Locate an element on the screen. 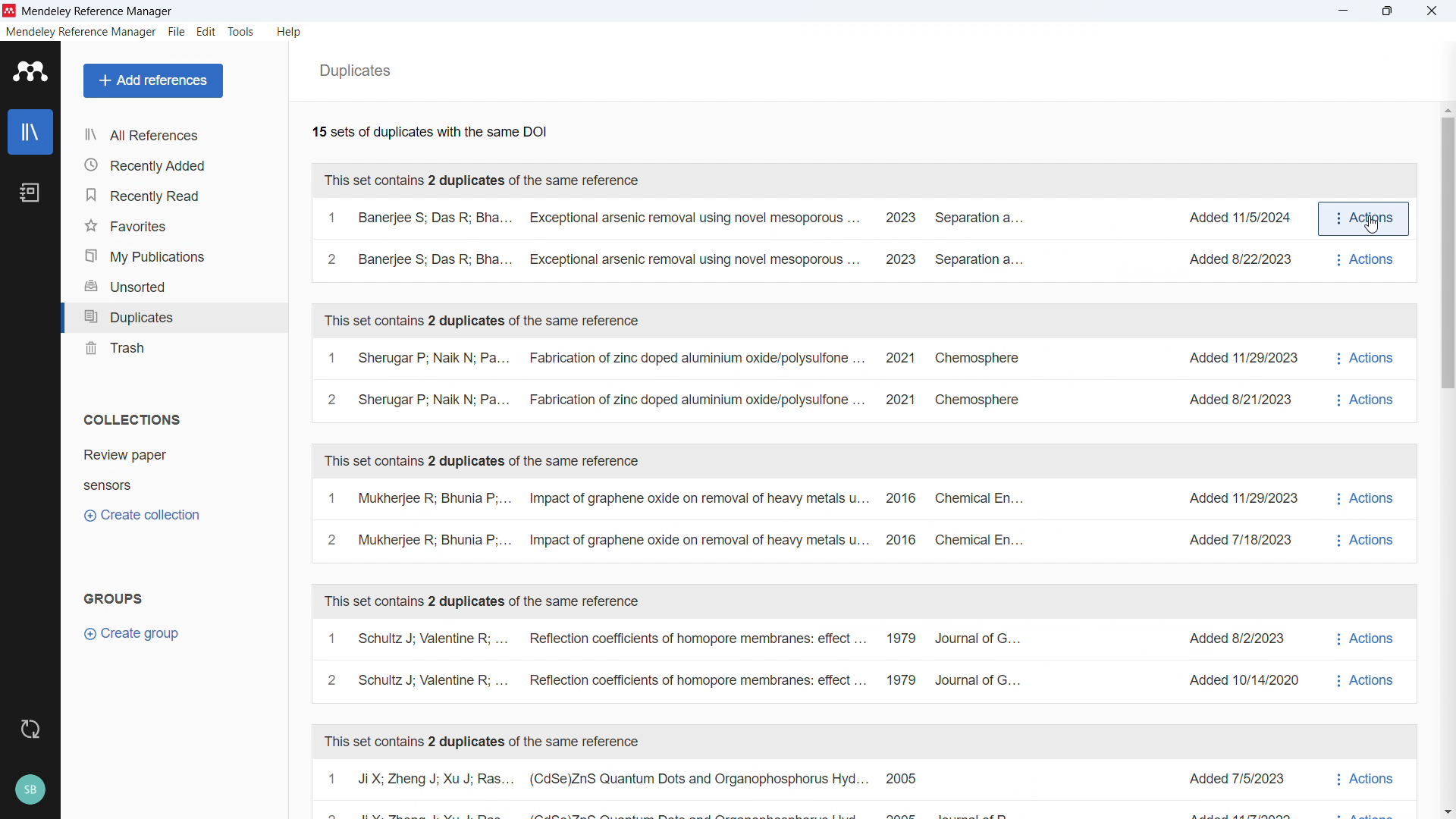  Duplicates  is located at coordinates (354, 71).